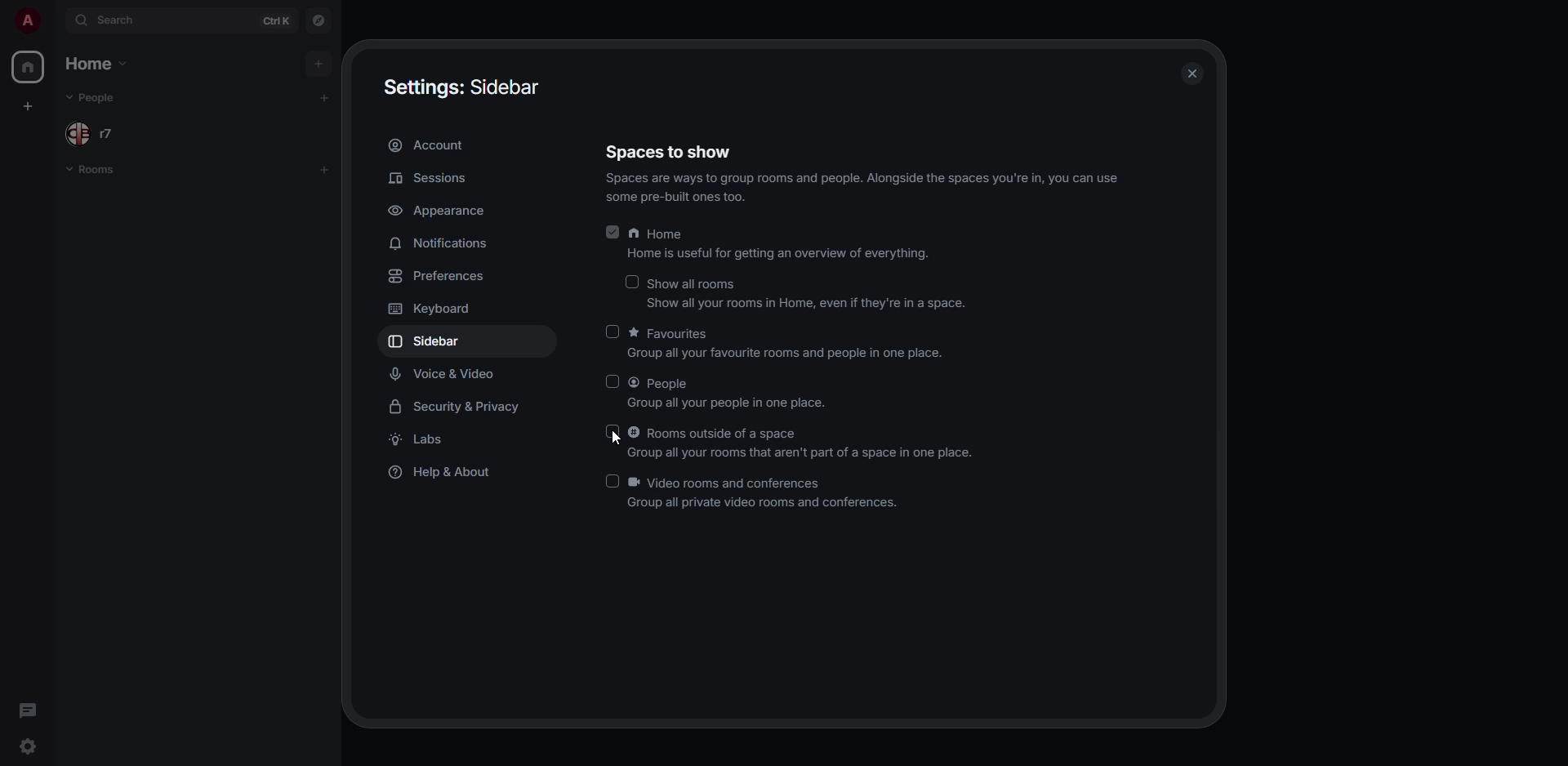 This screenshot has width=1568, height=766. I want to click on voice & video, so click(446, 374).